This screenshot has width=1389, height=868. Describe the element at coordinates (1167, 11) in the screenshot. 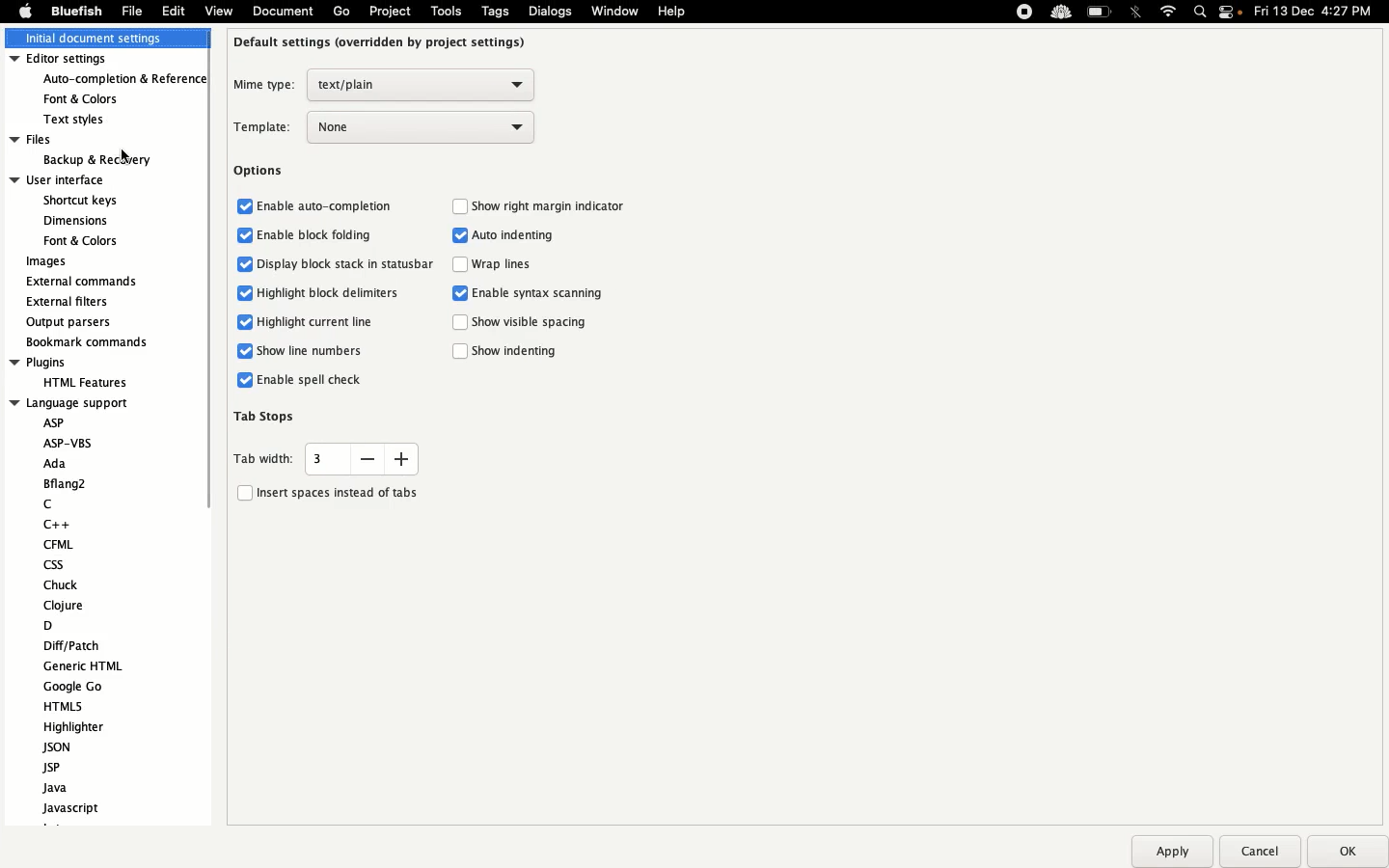

I see `Internet` at that location.